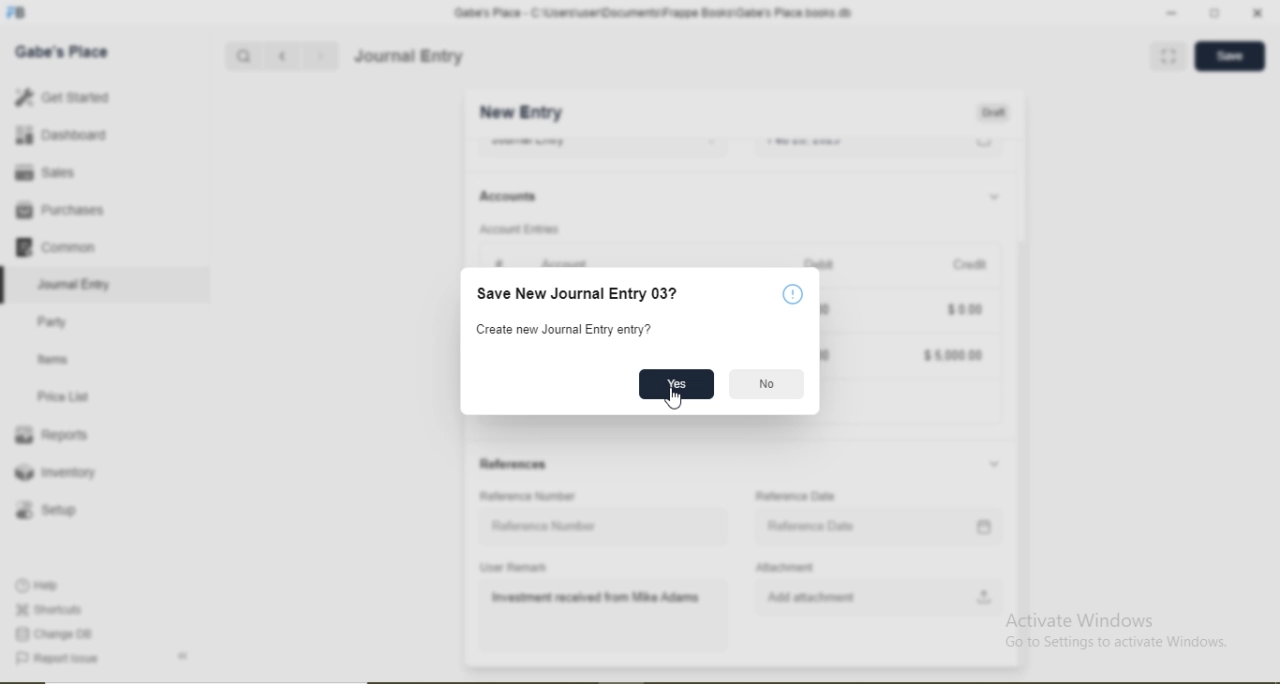 The height and width of the screenshot is (684, 1280). I want to click on Logo, so click(17, 13).